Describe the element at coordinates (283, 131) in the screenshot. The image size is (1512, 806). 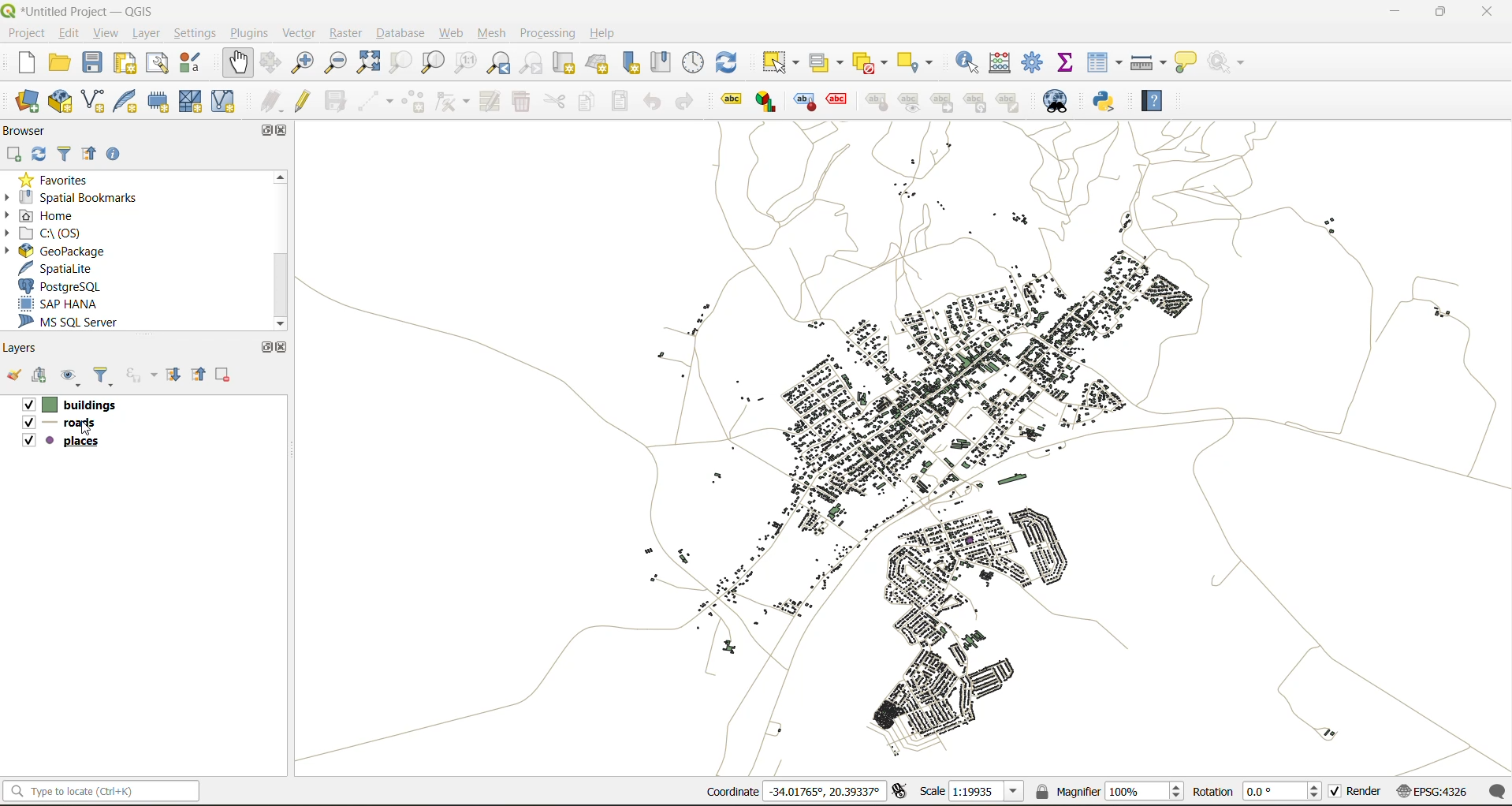
I see `close` at that location.